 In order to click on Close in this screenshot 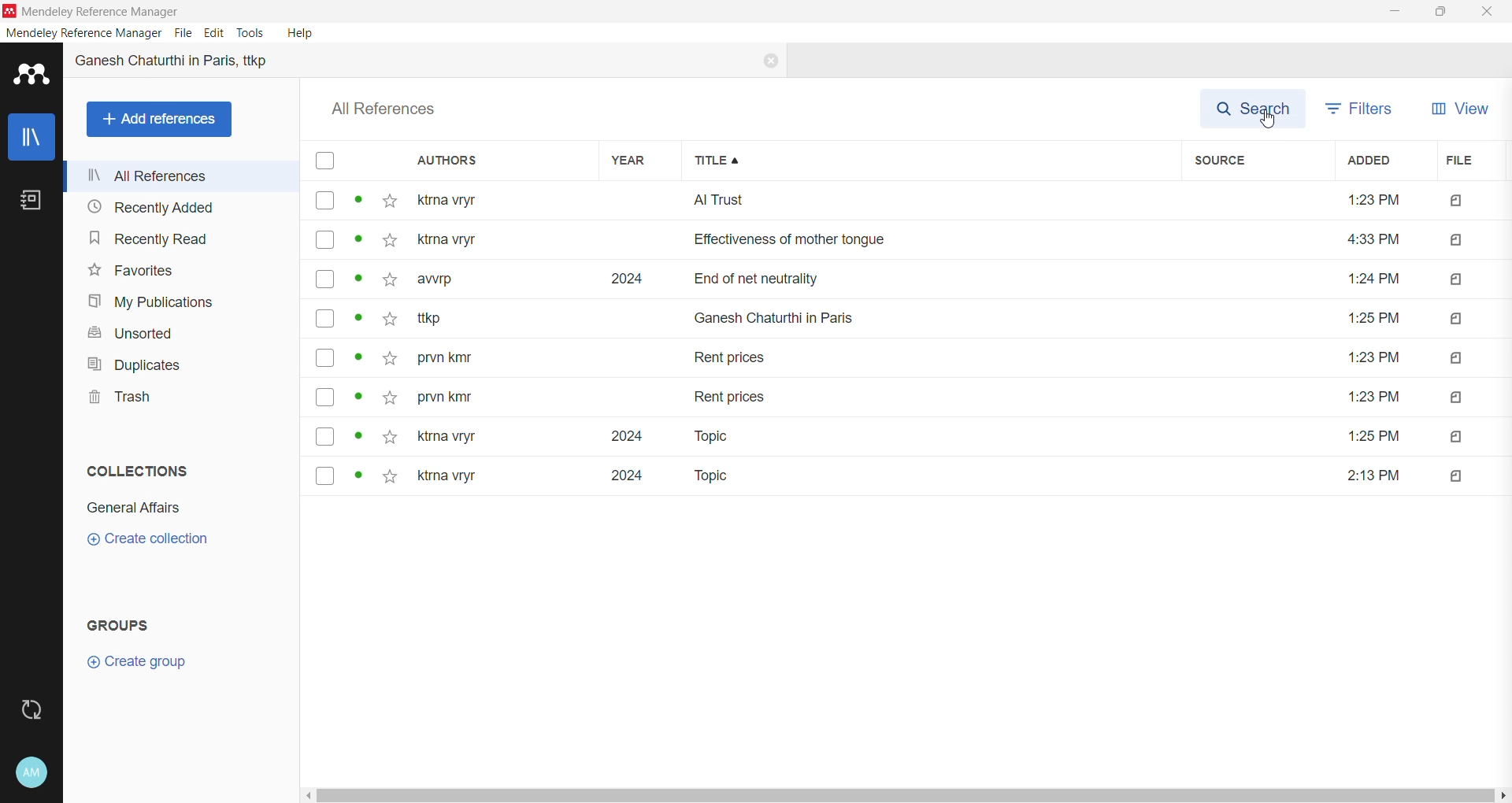, I will do `click(1486, 11)`.